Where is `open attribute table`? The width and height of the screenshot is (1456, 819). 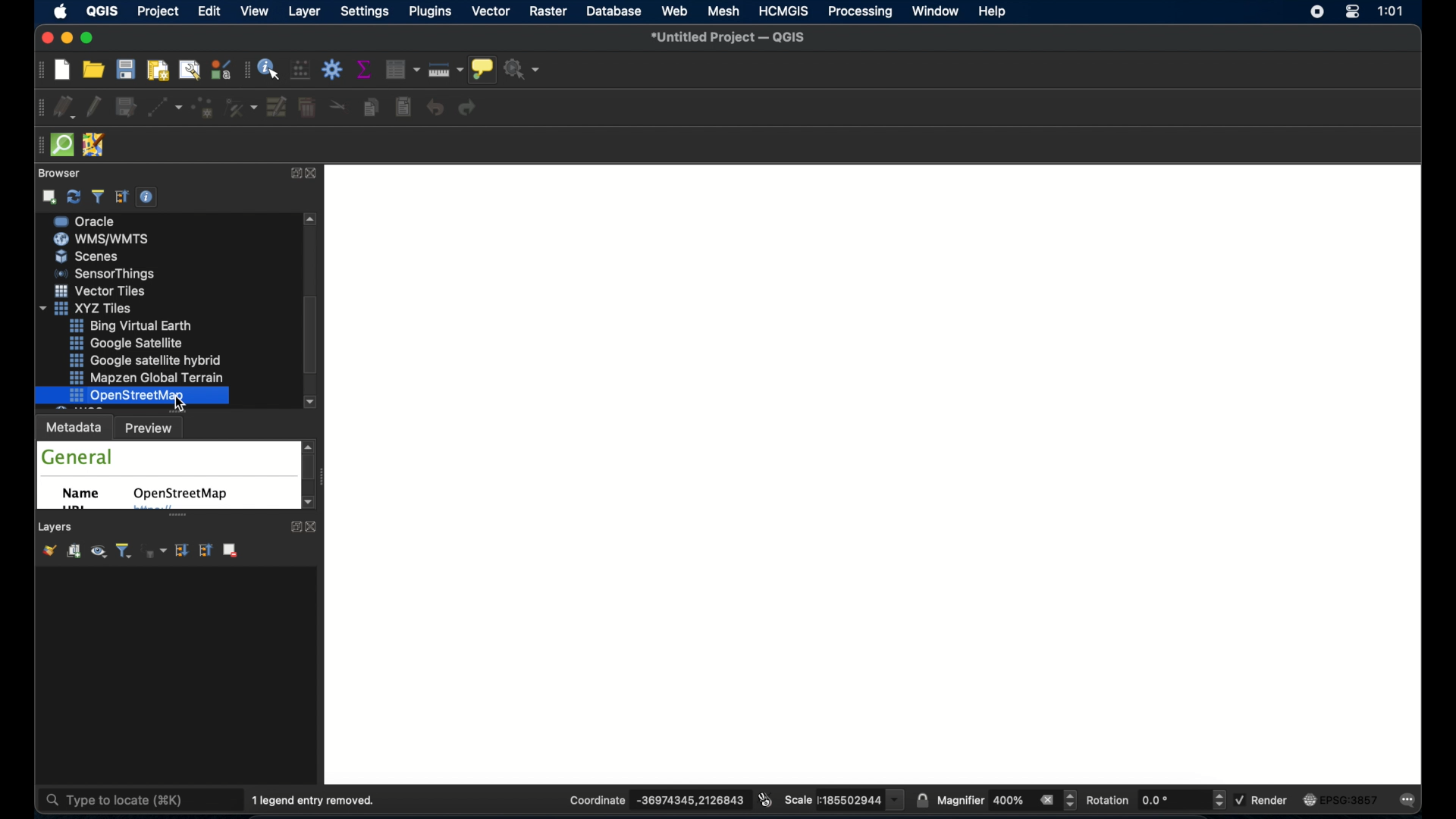
open attribute table is located at coordinates (401, 68).